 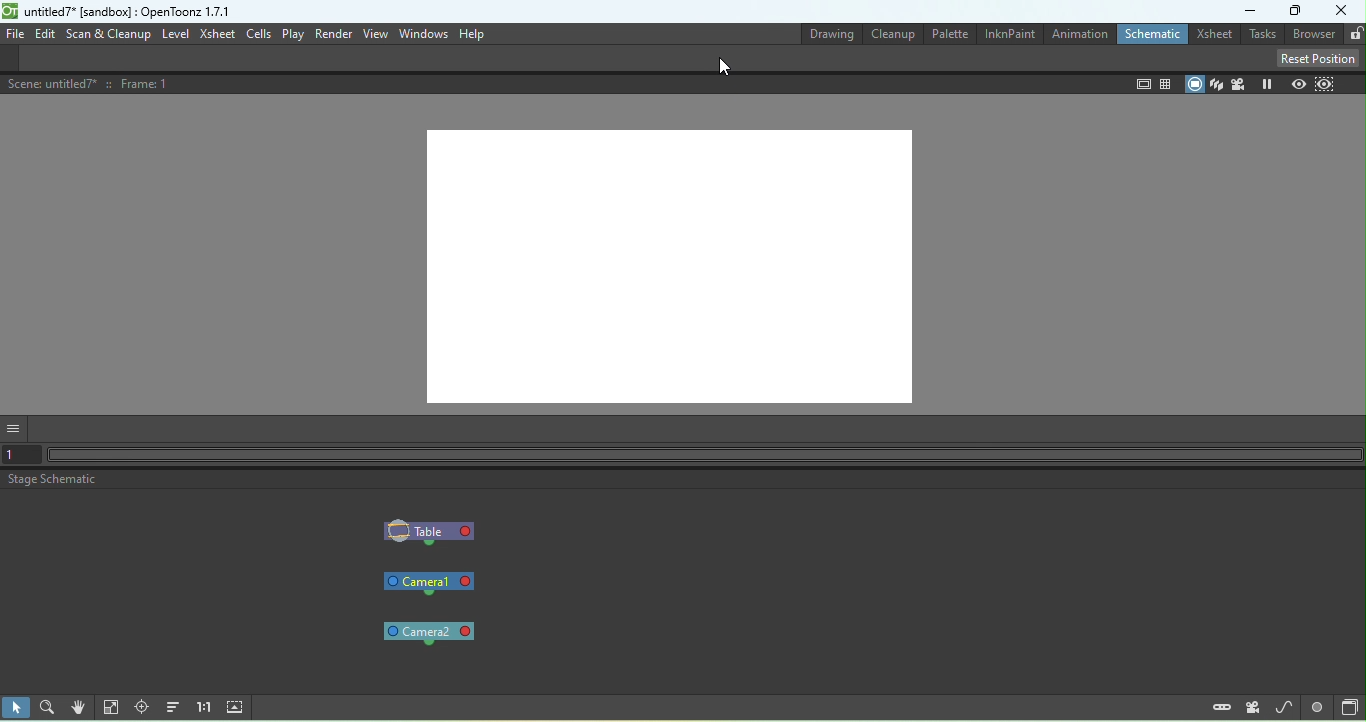 I want to click on Maximize nodes, so click(x=239, y=707).